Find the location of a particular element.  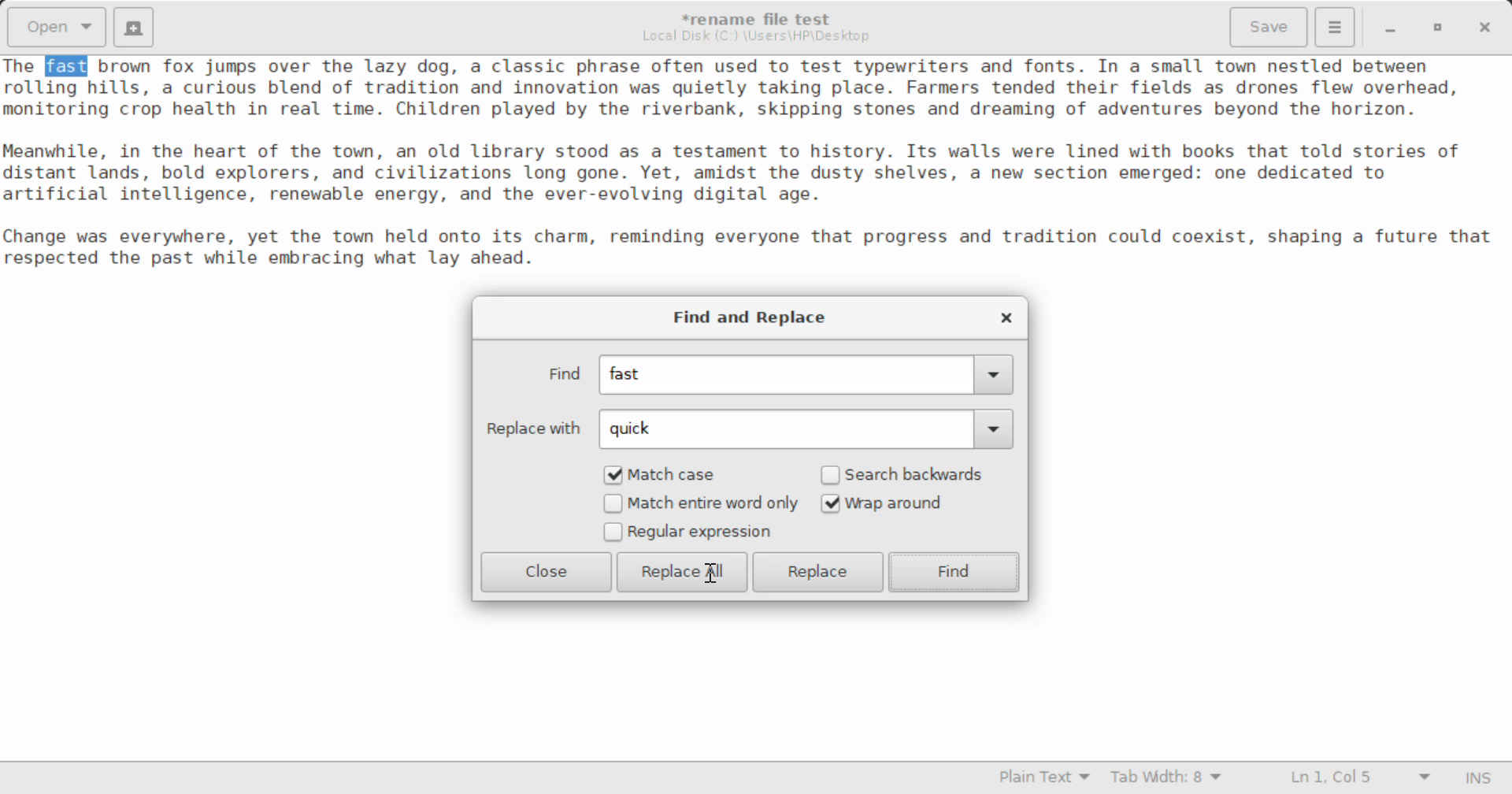

Save File is located at coordinates (1271, 25).